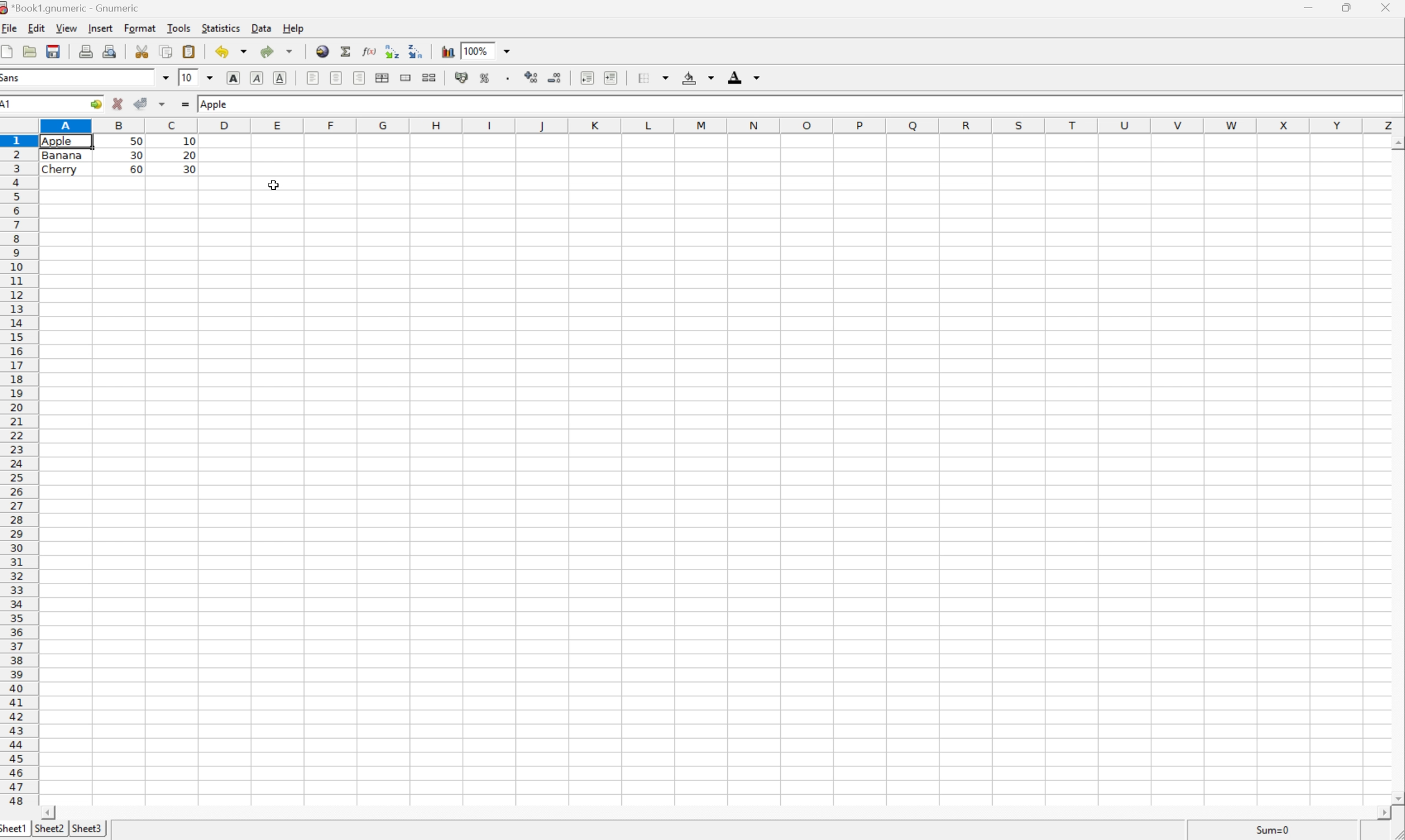 The image size is (1405, 840). I want to click on Set the format of the selected cells to include a thousands separator, so click(509, 78).